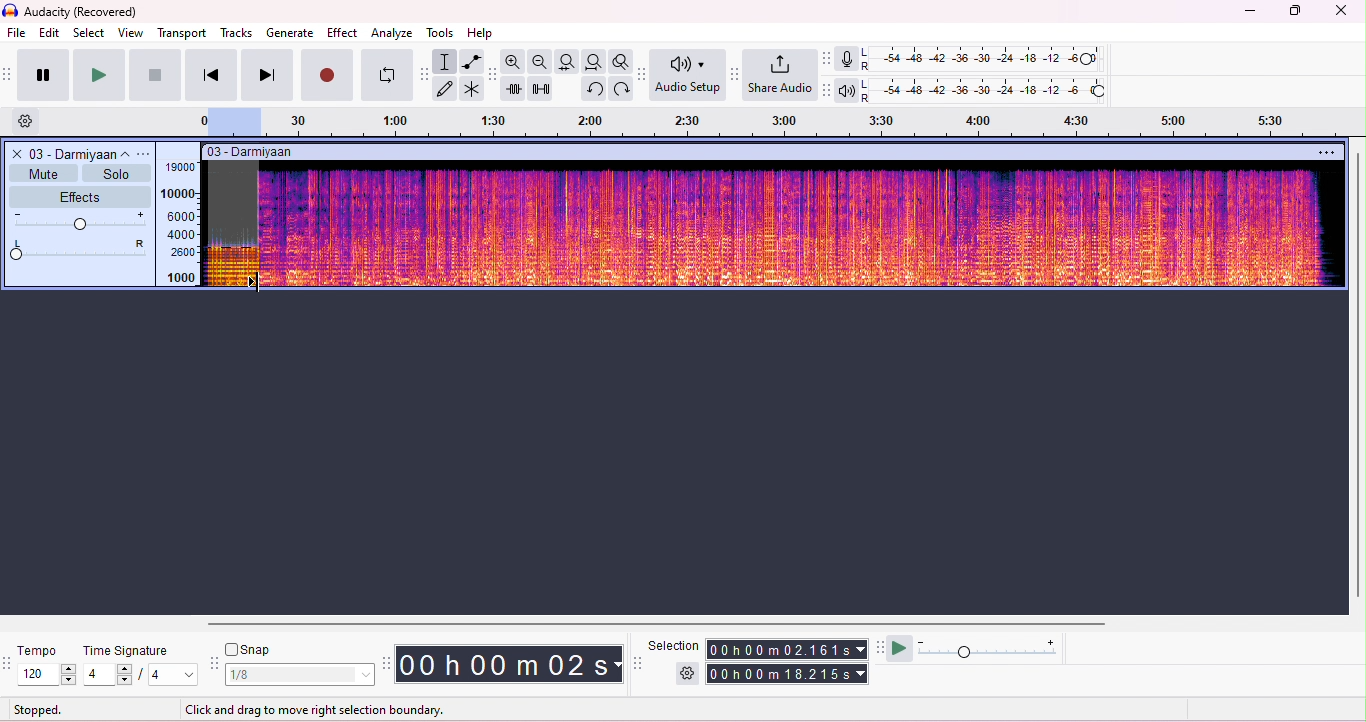 The height and width of the screenshot is (722, 1366). I want to click on record meter toolbar, so click(828, 58).